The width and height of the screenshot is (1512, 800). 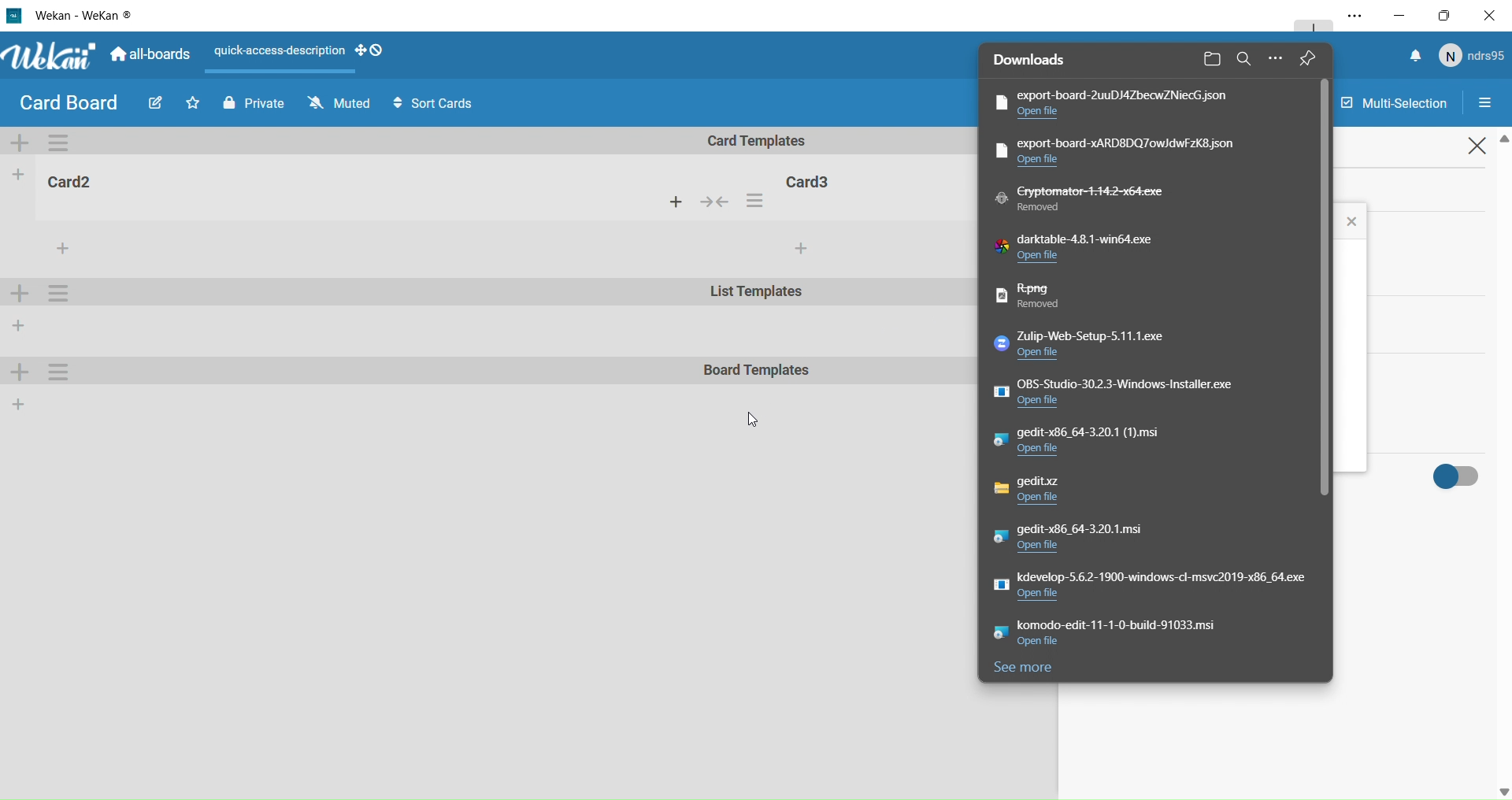 What do you see at coordinates (1278, 59) in the screenshot?
I see `more options` at bounding box center [1278, 59].